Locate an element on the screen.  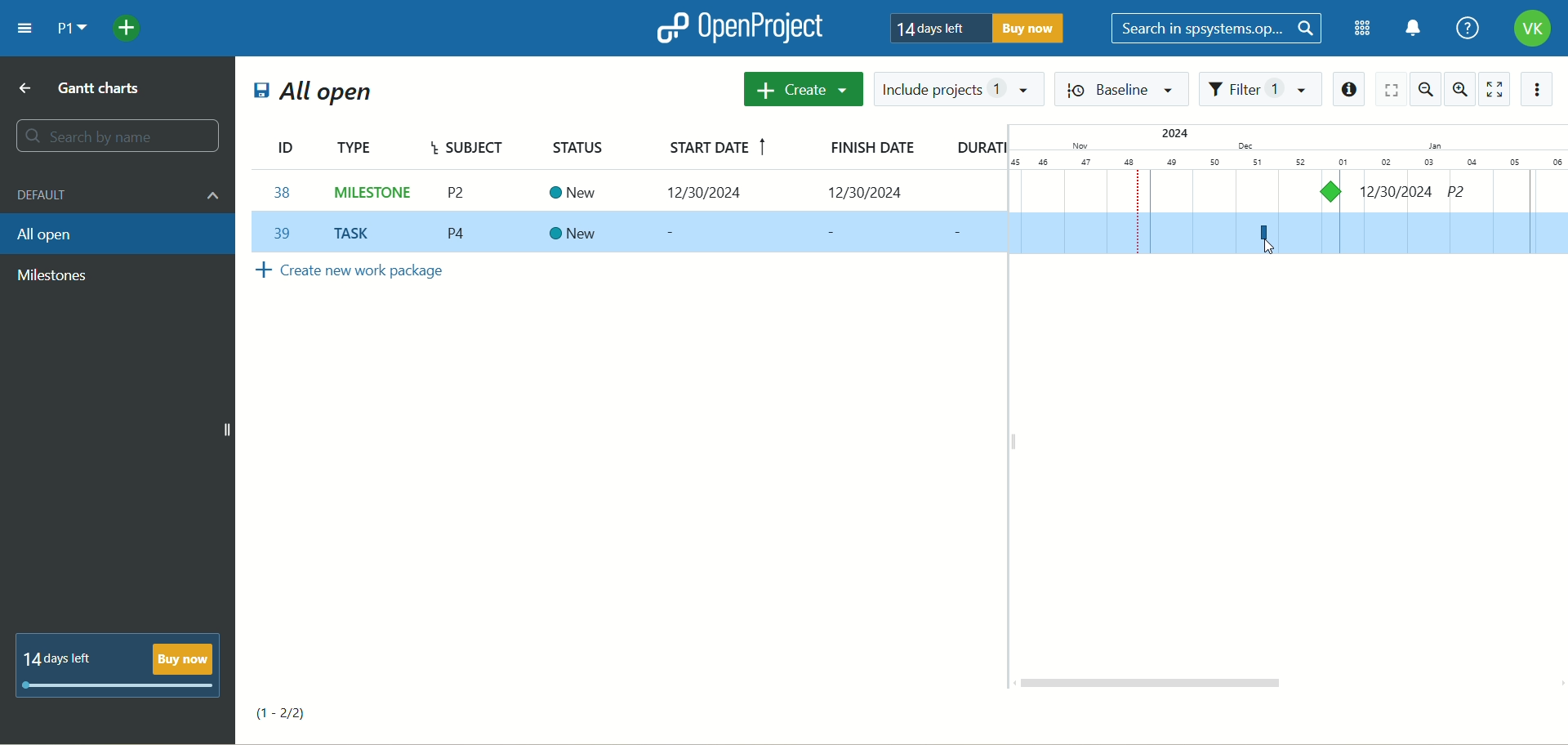
modules is located at coordinates (1358, 29).